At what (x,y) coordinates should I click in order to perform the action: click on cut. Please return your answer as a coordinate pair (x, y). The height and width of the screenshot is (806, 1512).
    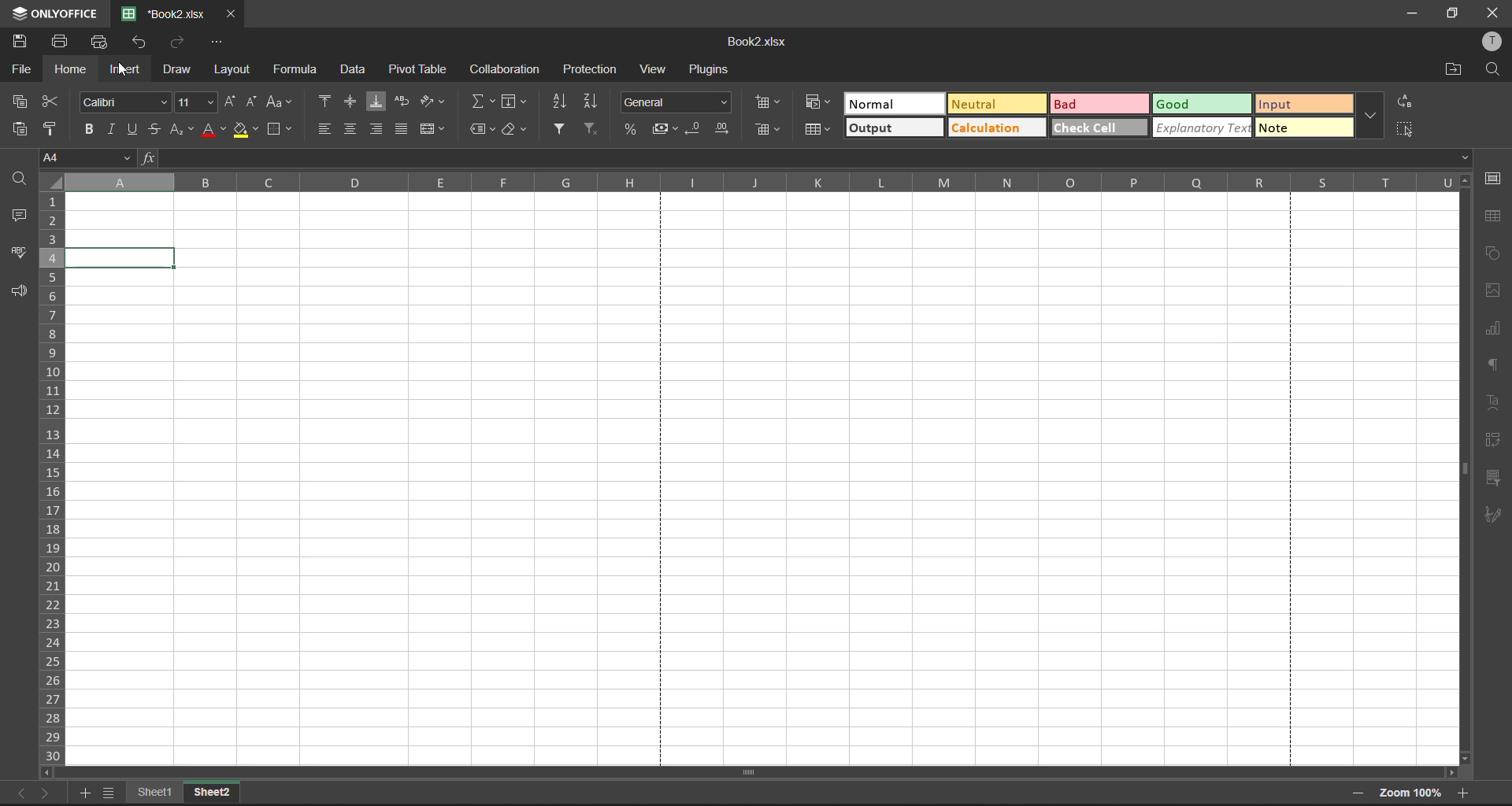
    Looking at the image, I should click on (51, 102).